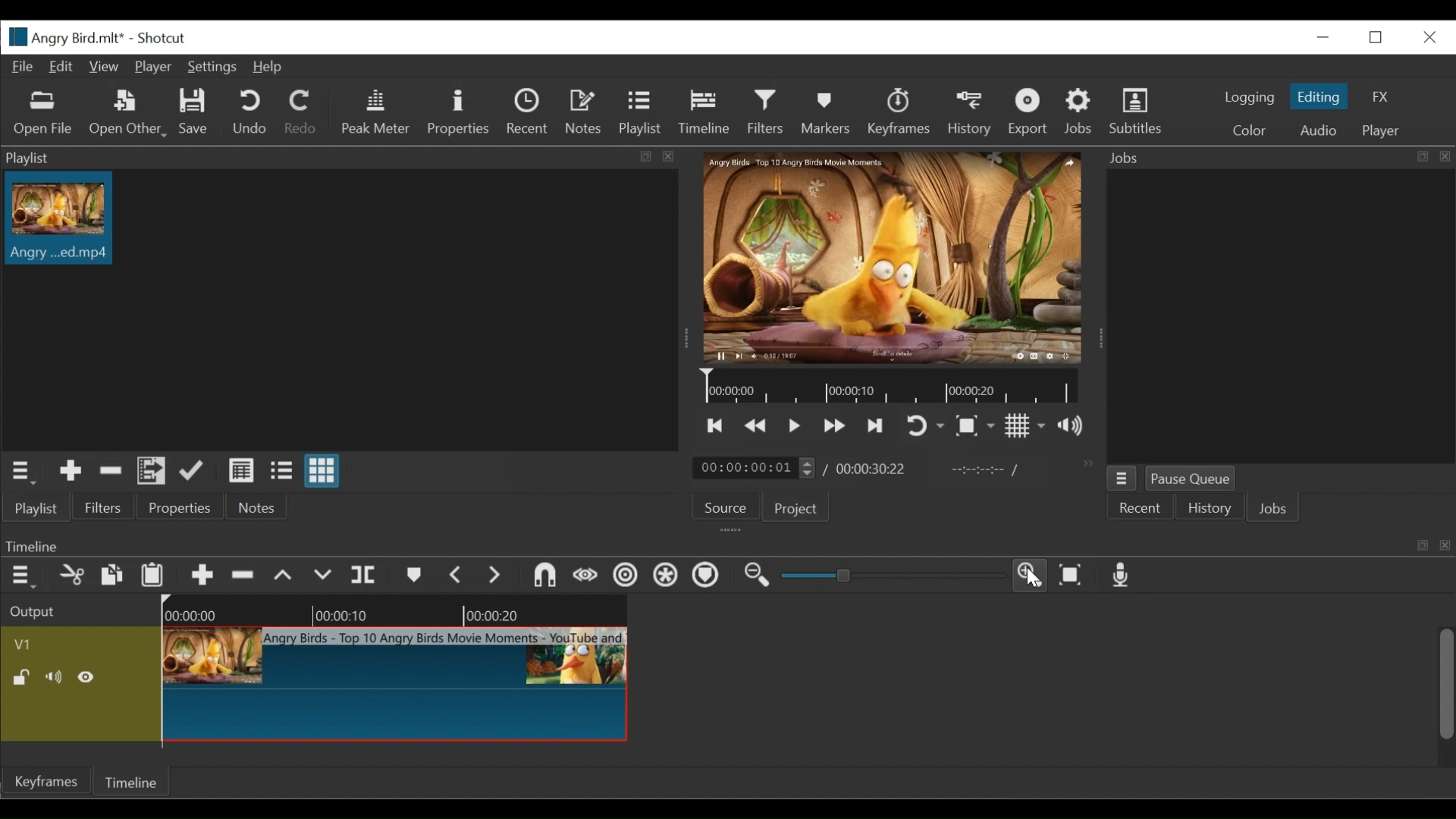 The height and width of the screenshot is (819, 1456). What do you see at coordinates (1378, 36) in the screenshot?
I see `Restore` at bounding box center [1378, 36].